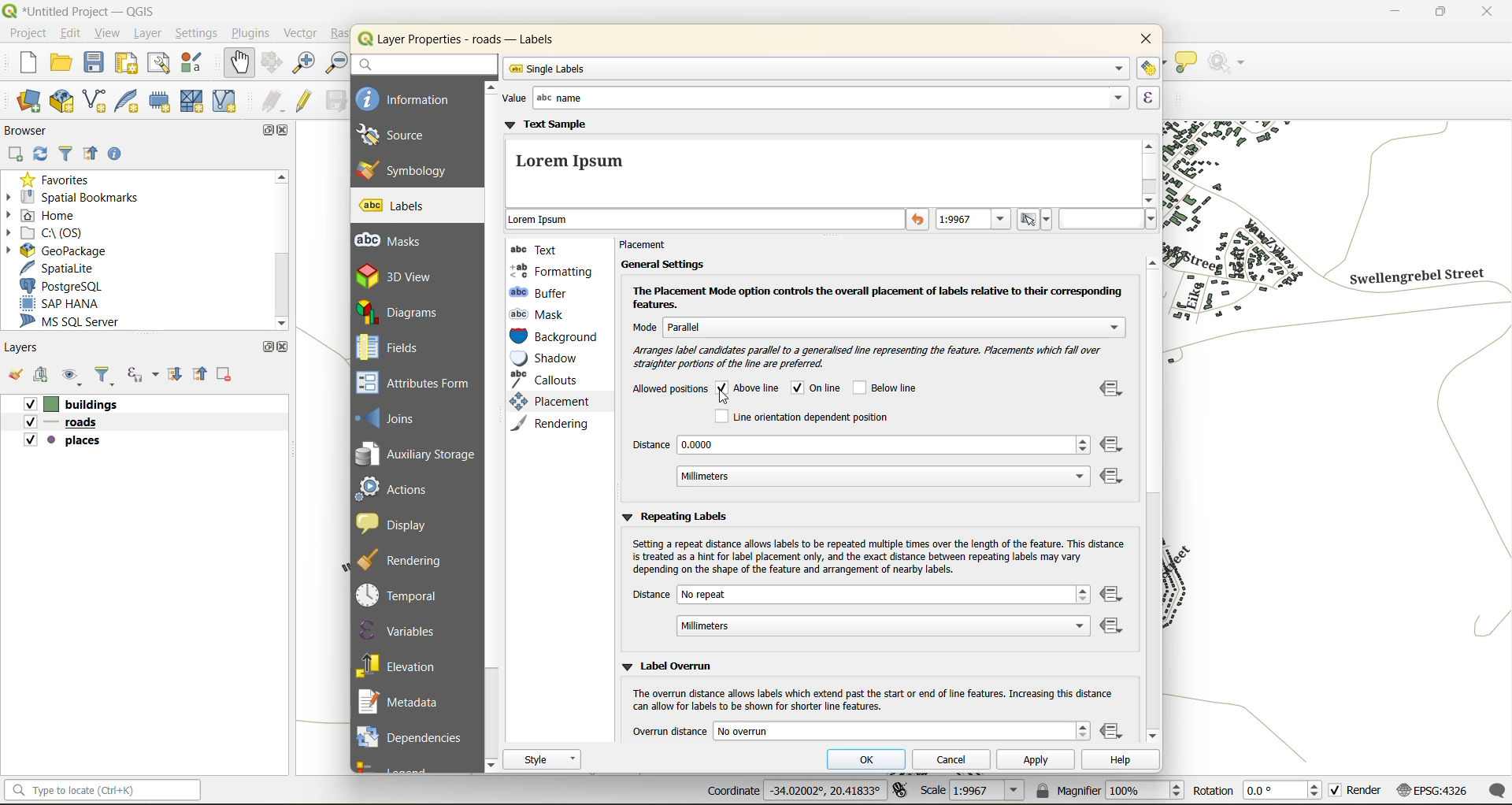  I want to click on attributes form, so click(419, 384).